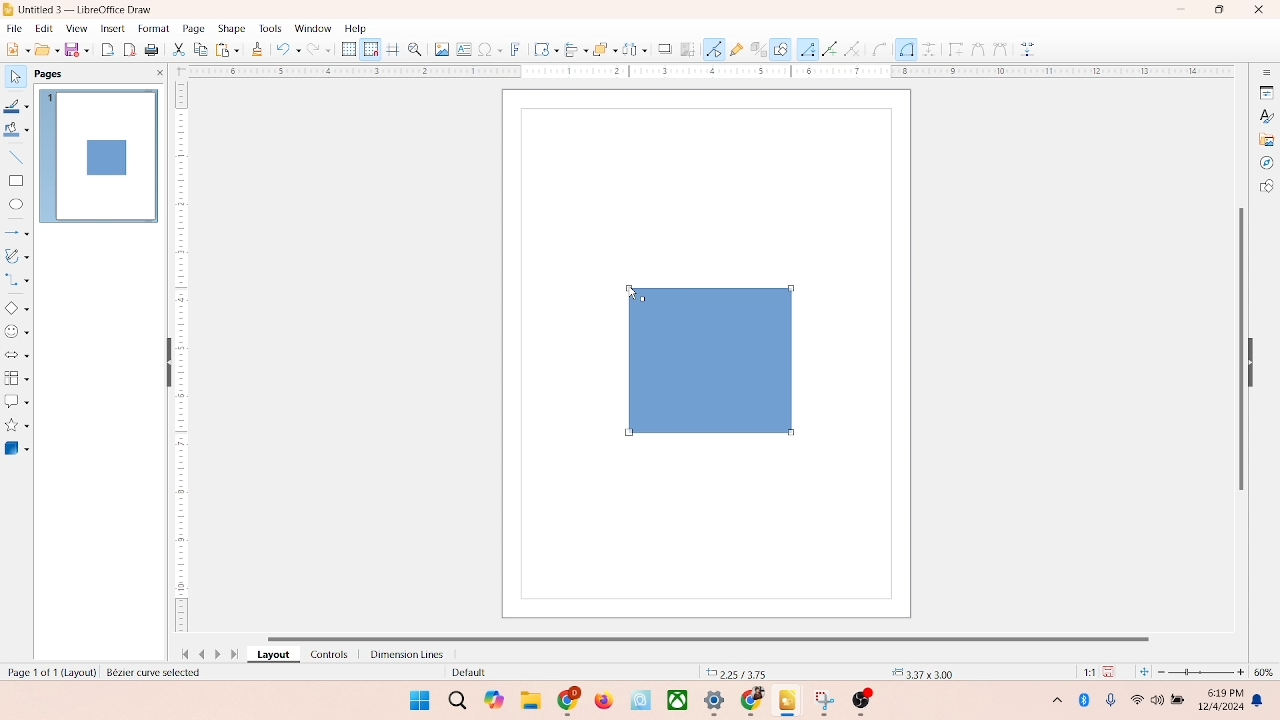 The width and height of the screenshot is (1280, 720). I want to click on Circle or Ellipse tool (Arc-specific), so click(880, 50).